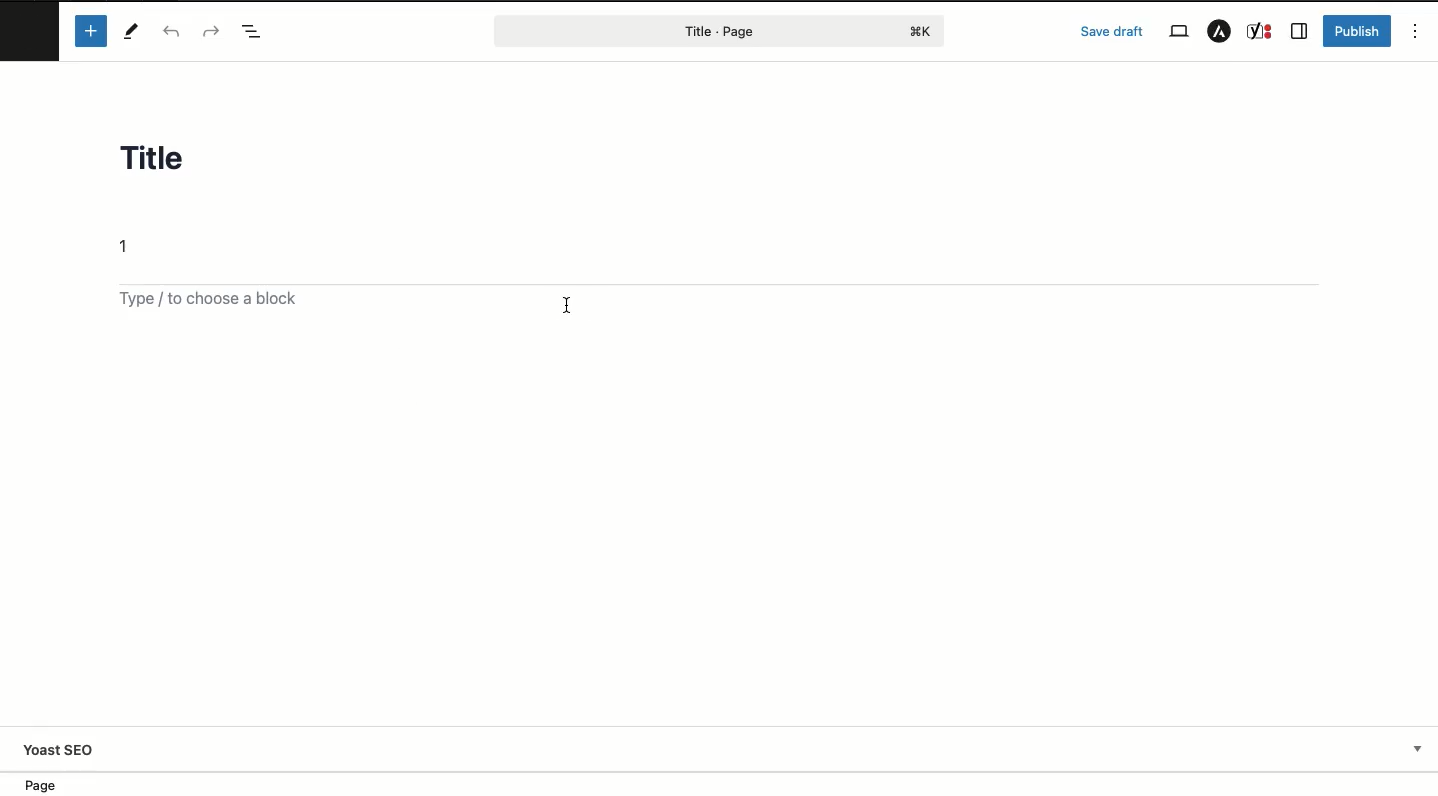  What do you see at coordinates (254, 31) in the screenshot?
I see `Document overview` at bounding box center [254, 31].